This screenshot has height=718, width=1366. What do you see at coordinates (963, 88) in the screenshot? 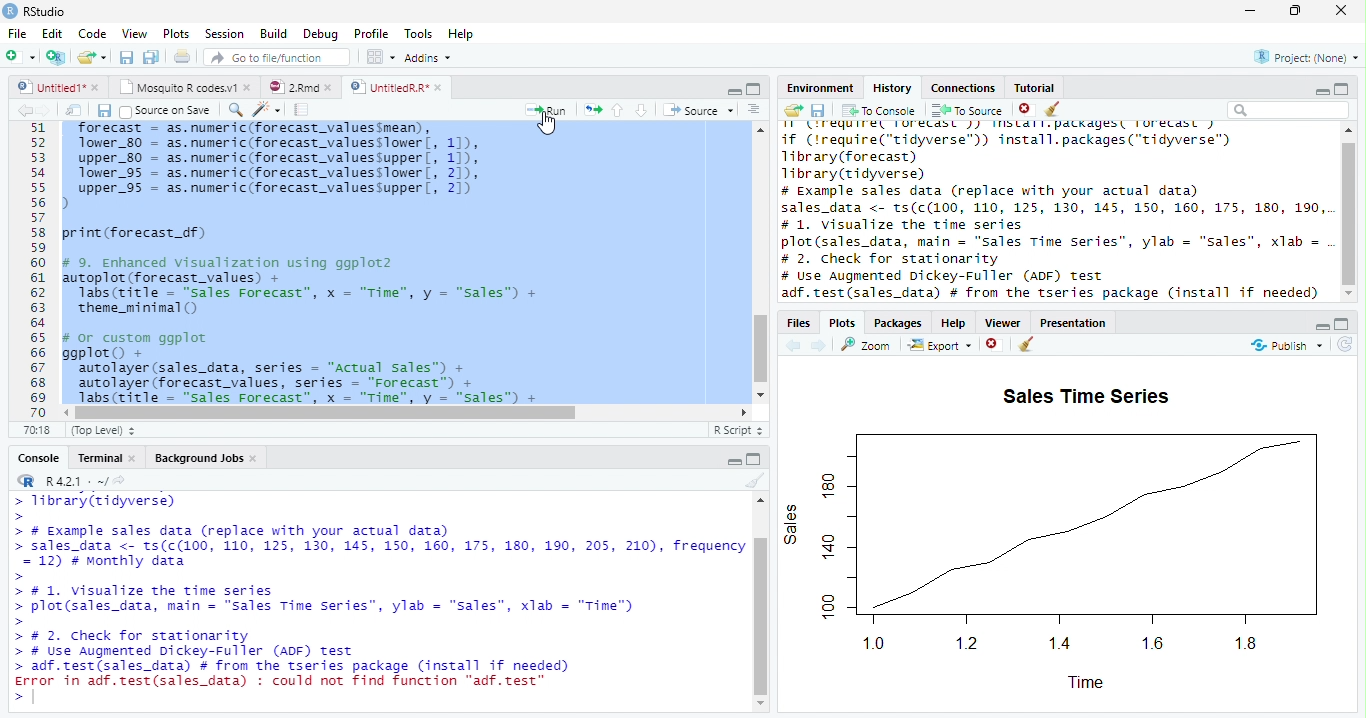
I see `Connections` at bounding box center [963, 88].